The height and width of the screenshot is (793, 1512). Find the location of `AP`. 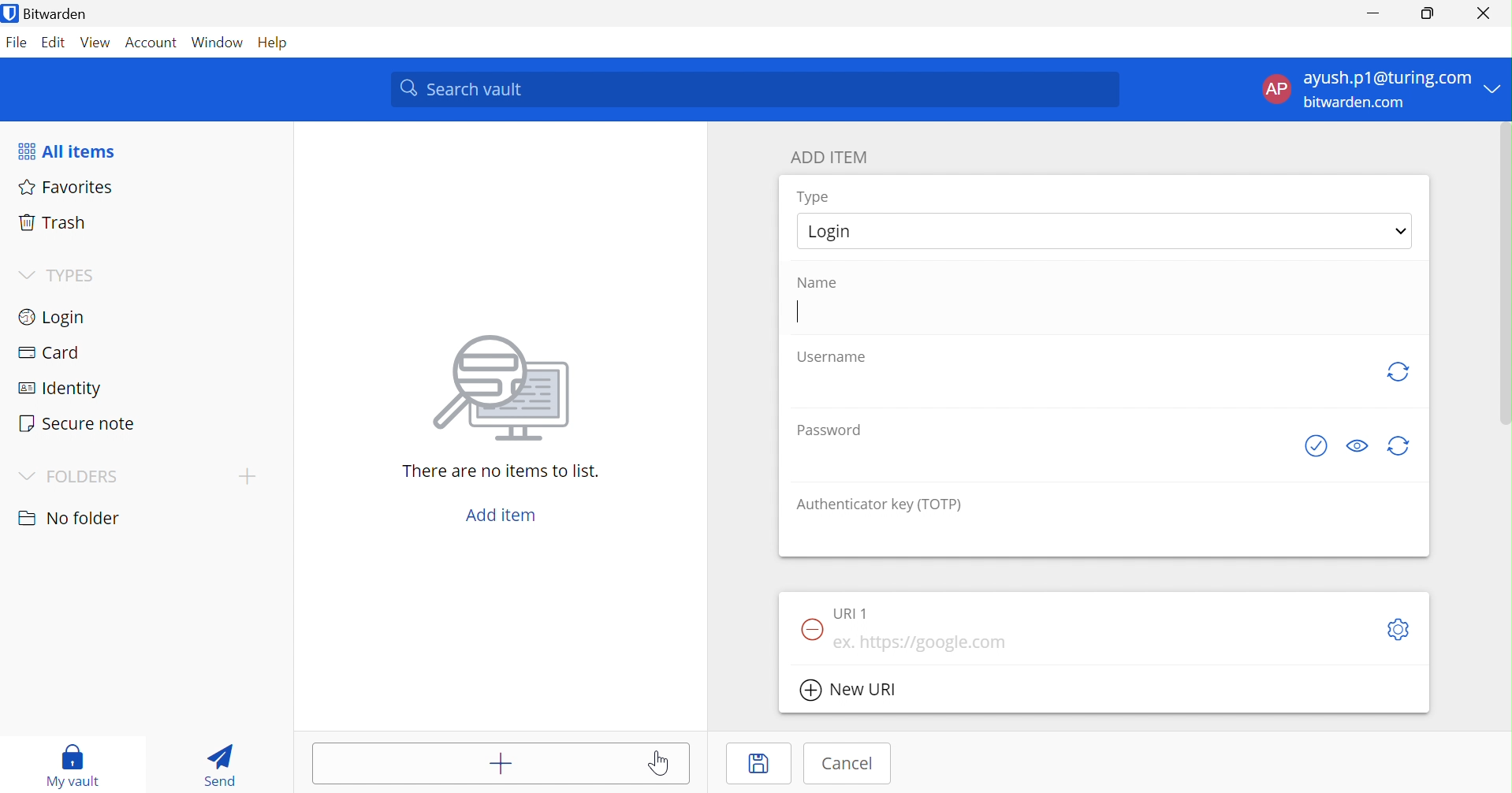

AP is located at coordinates (1276, 91).